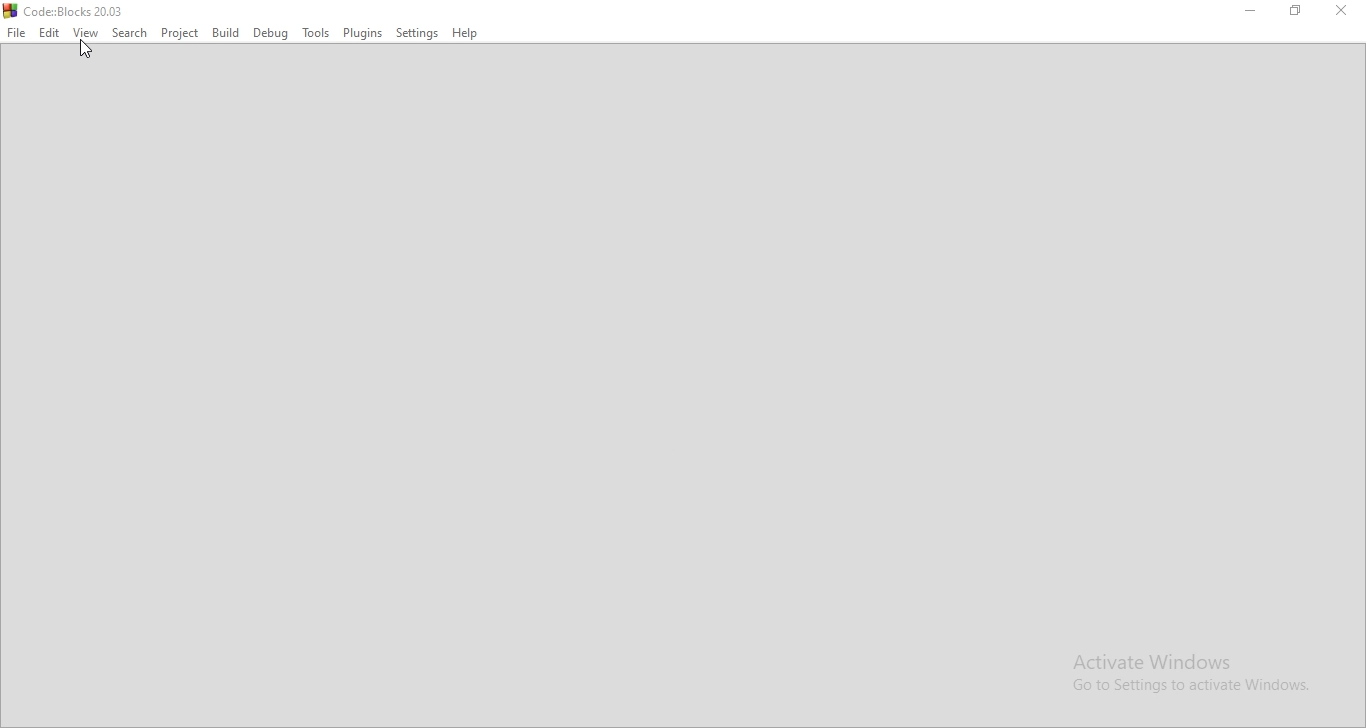  What do you see at coordinates (67, 10) in the screenshot?
I see `logo` at bounding box center [67, 10].